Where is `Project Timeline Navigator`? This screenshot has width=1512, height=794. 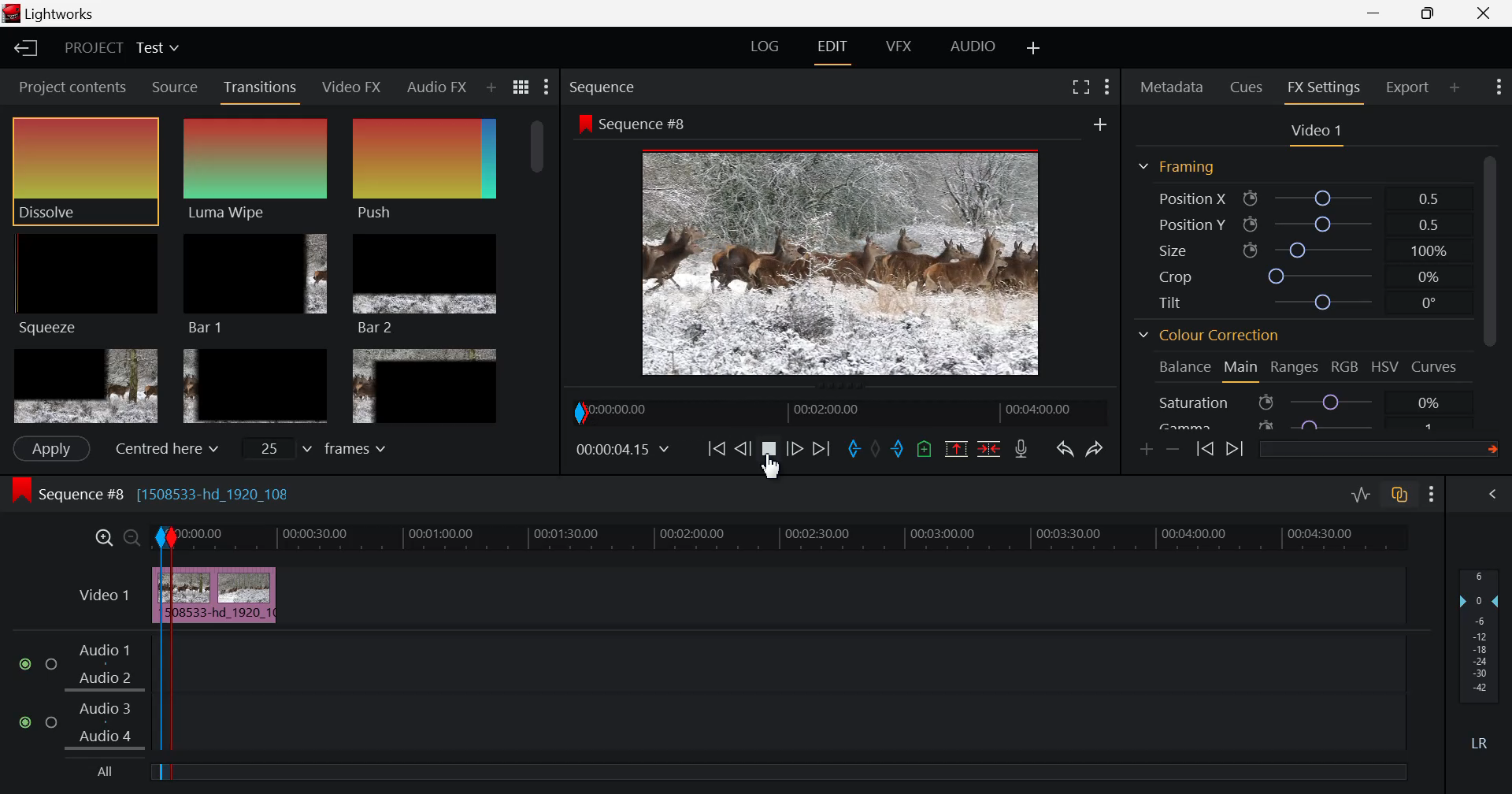 Project Timeline Navigator is located at coordinates (838, 412).